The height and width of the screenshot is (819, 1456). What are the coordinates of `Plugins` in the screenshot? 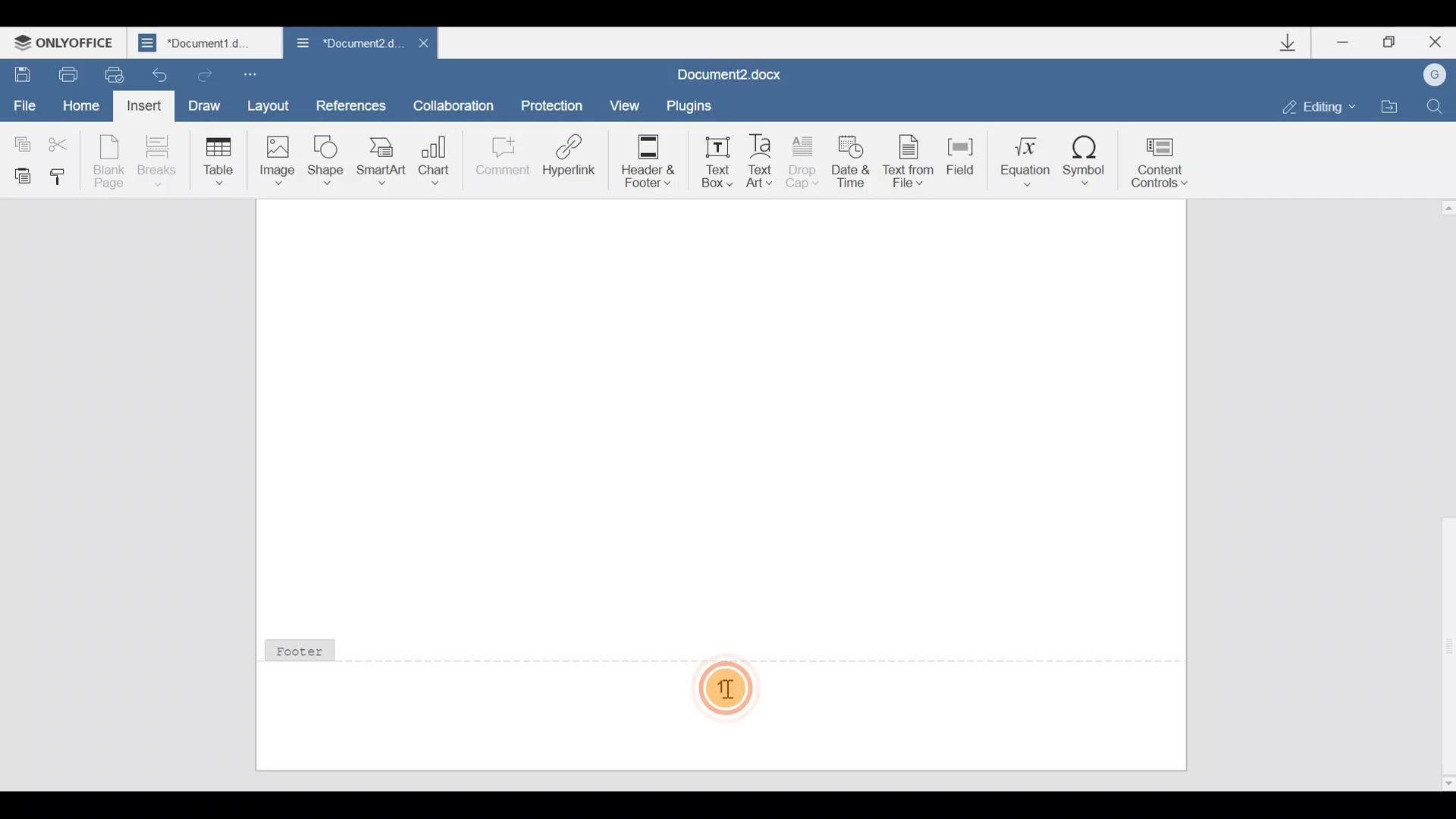 It's located at (701, 103).